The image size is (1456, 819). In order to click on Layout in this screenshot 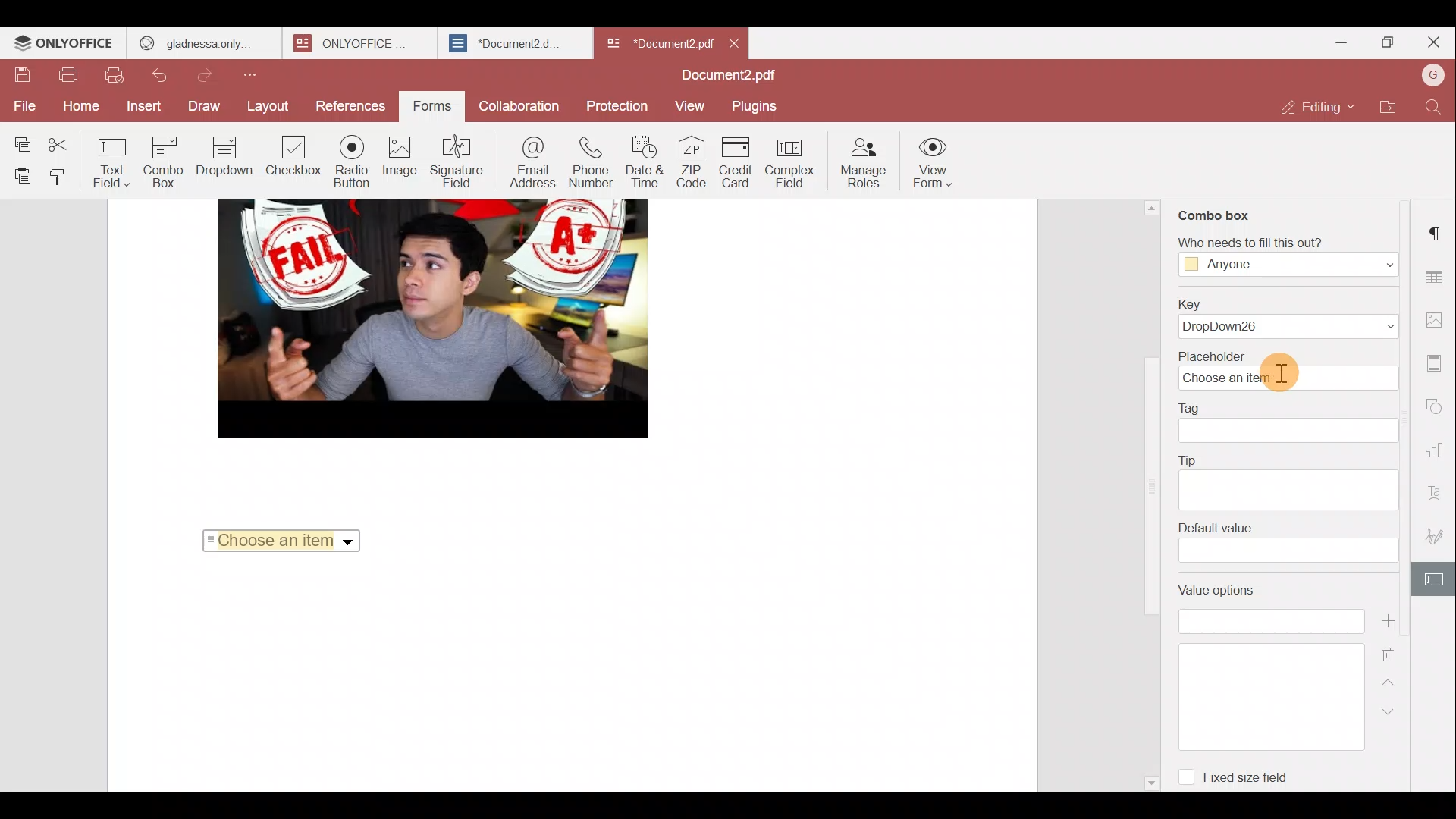, I will do `click(267, 108)`.